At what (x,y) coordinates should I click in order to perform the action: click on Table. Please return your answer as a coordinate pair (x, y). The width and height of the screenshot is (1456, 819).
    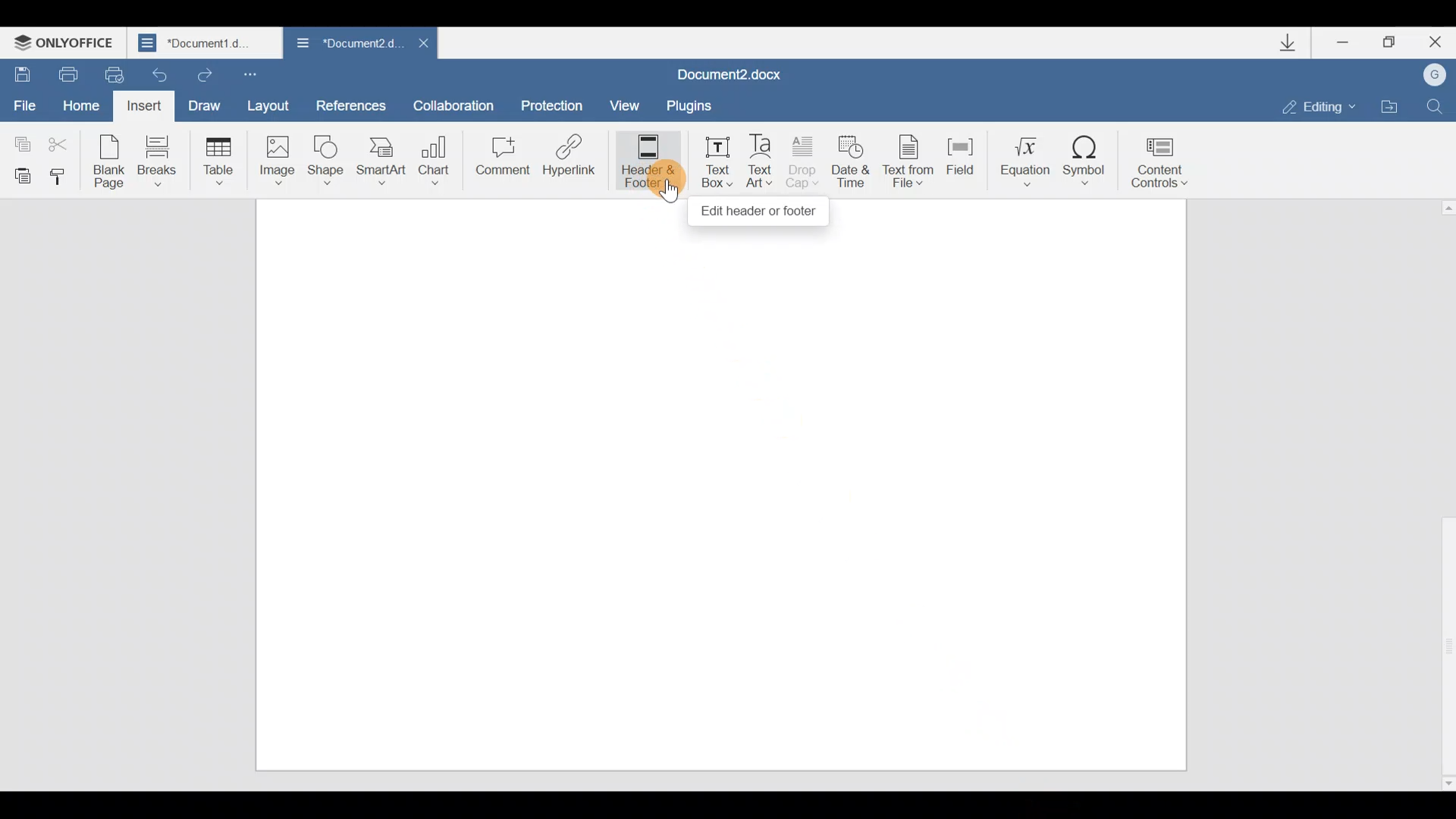
    Looking at the image, I should click on (215, 160).